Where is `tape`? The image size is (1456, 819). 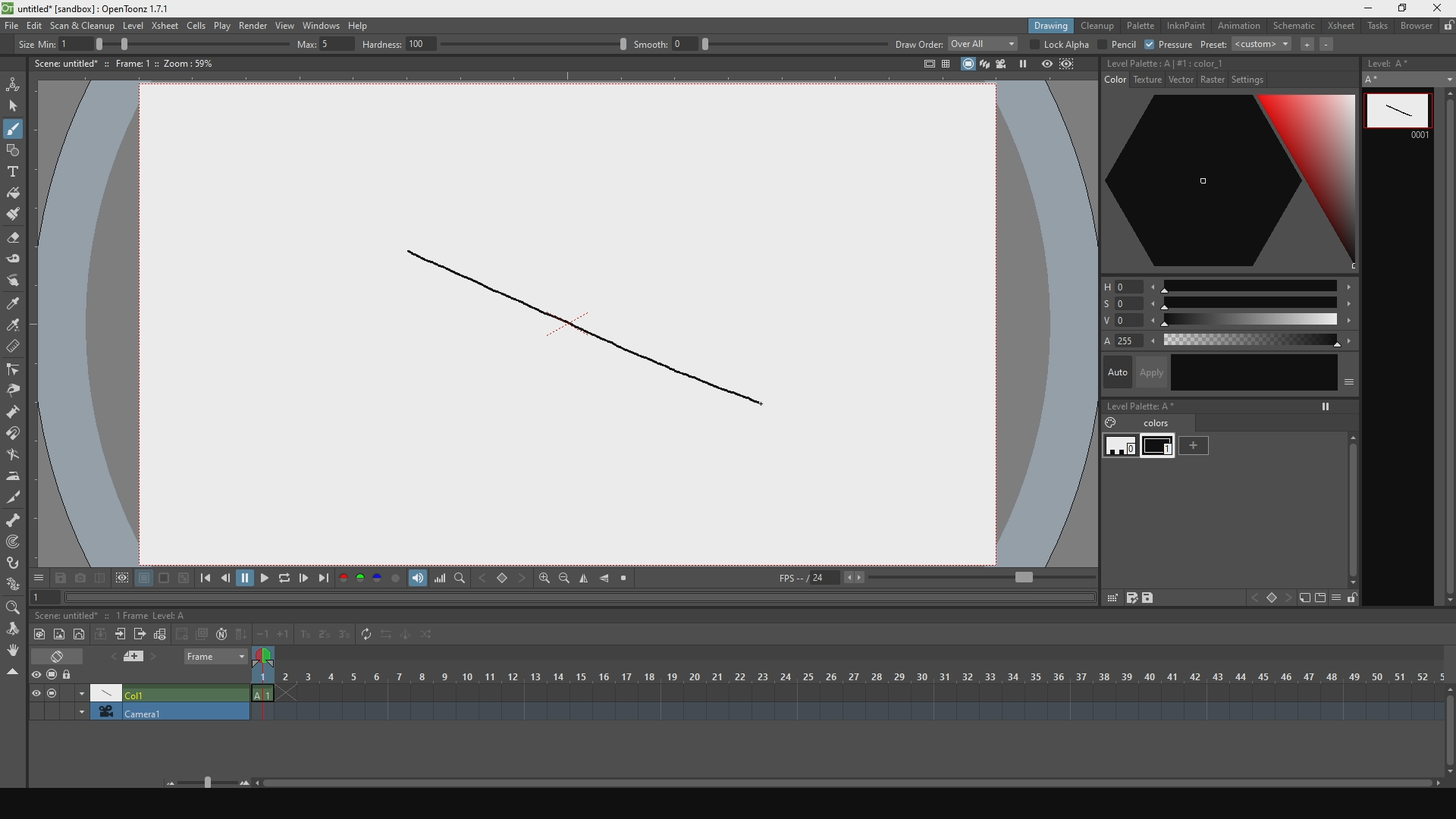 tape is located at coordinates (15, 262).